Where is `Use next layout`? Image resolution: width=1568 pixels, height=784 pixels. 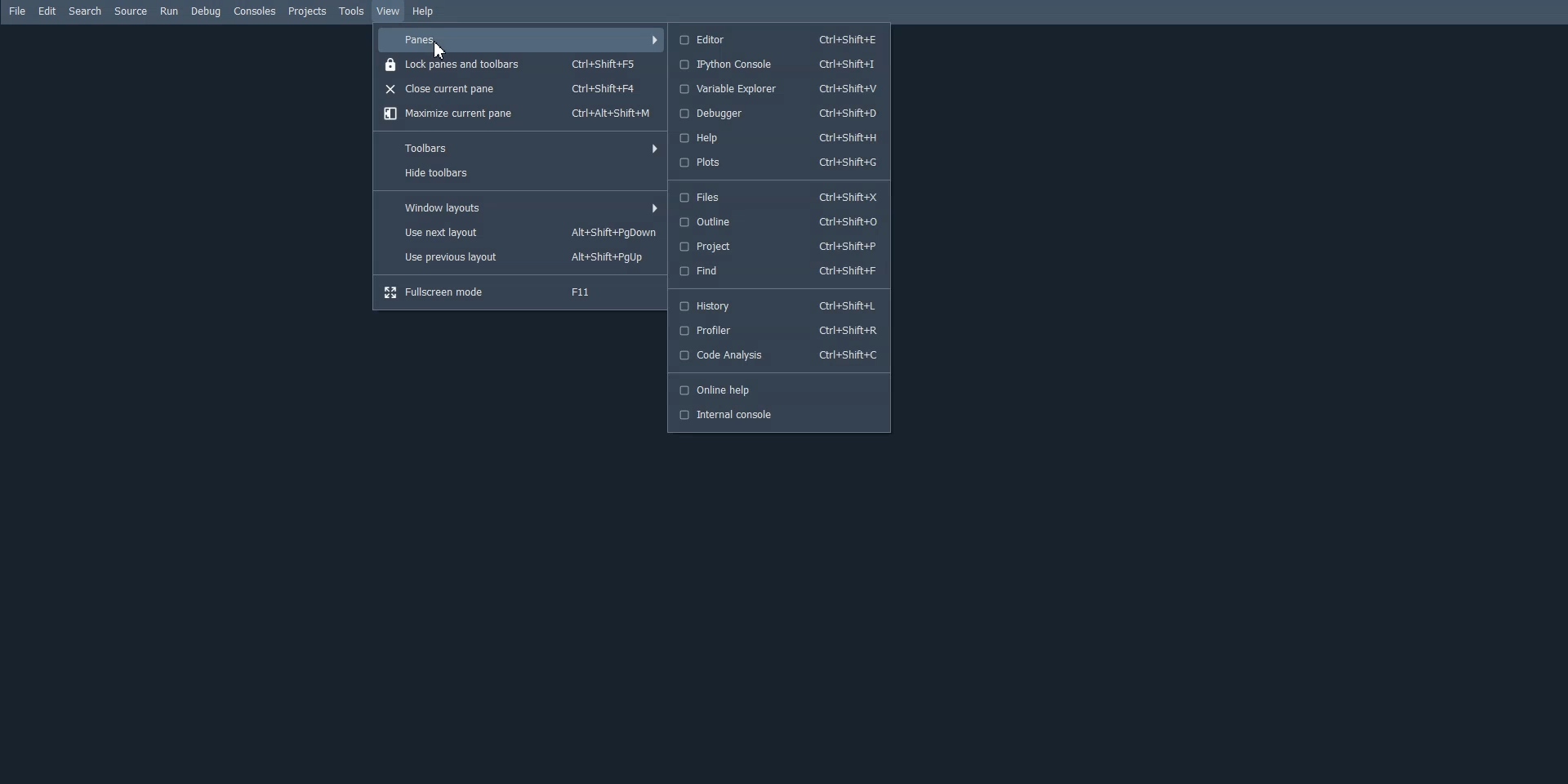
Use next layout is located at coordinates (522, 233).